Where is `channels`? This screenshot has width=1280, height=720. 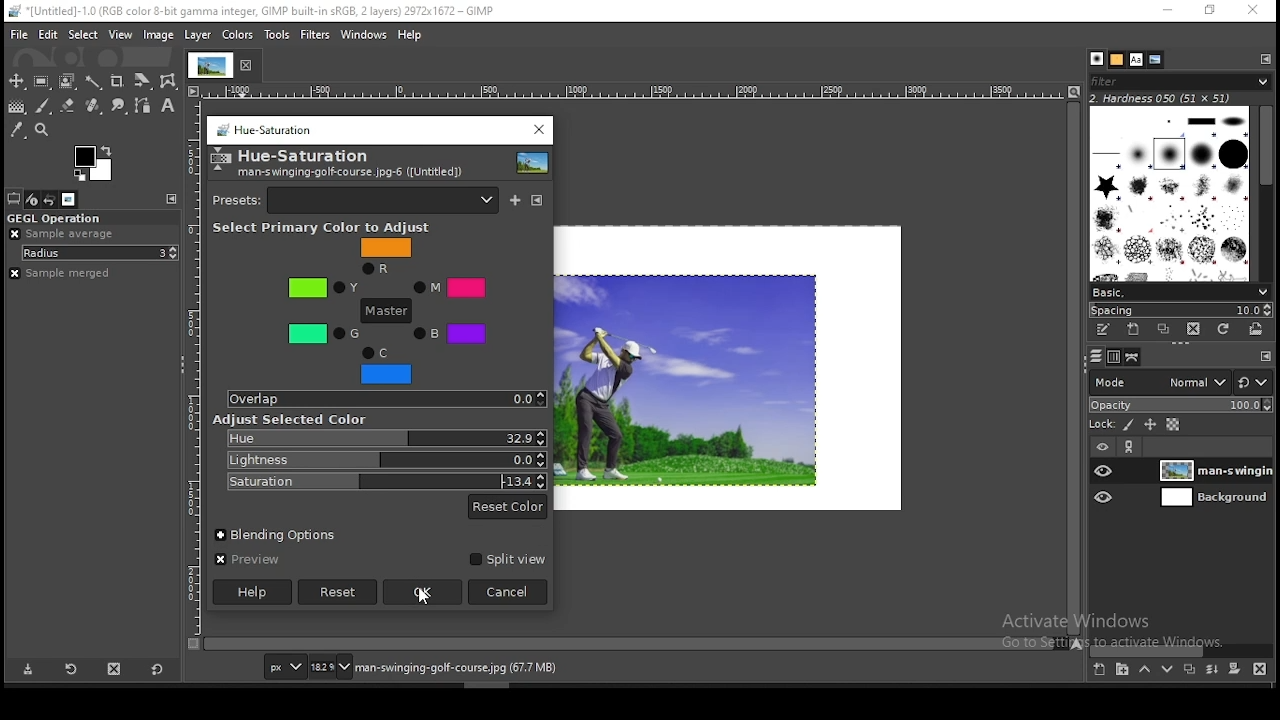 channels is located at coordinates (1113, 359).